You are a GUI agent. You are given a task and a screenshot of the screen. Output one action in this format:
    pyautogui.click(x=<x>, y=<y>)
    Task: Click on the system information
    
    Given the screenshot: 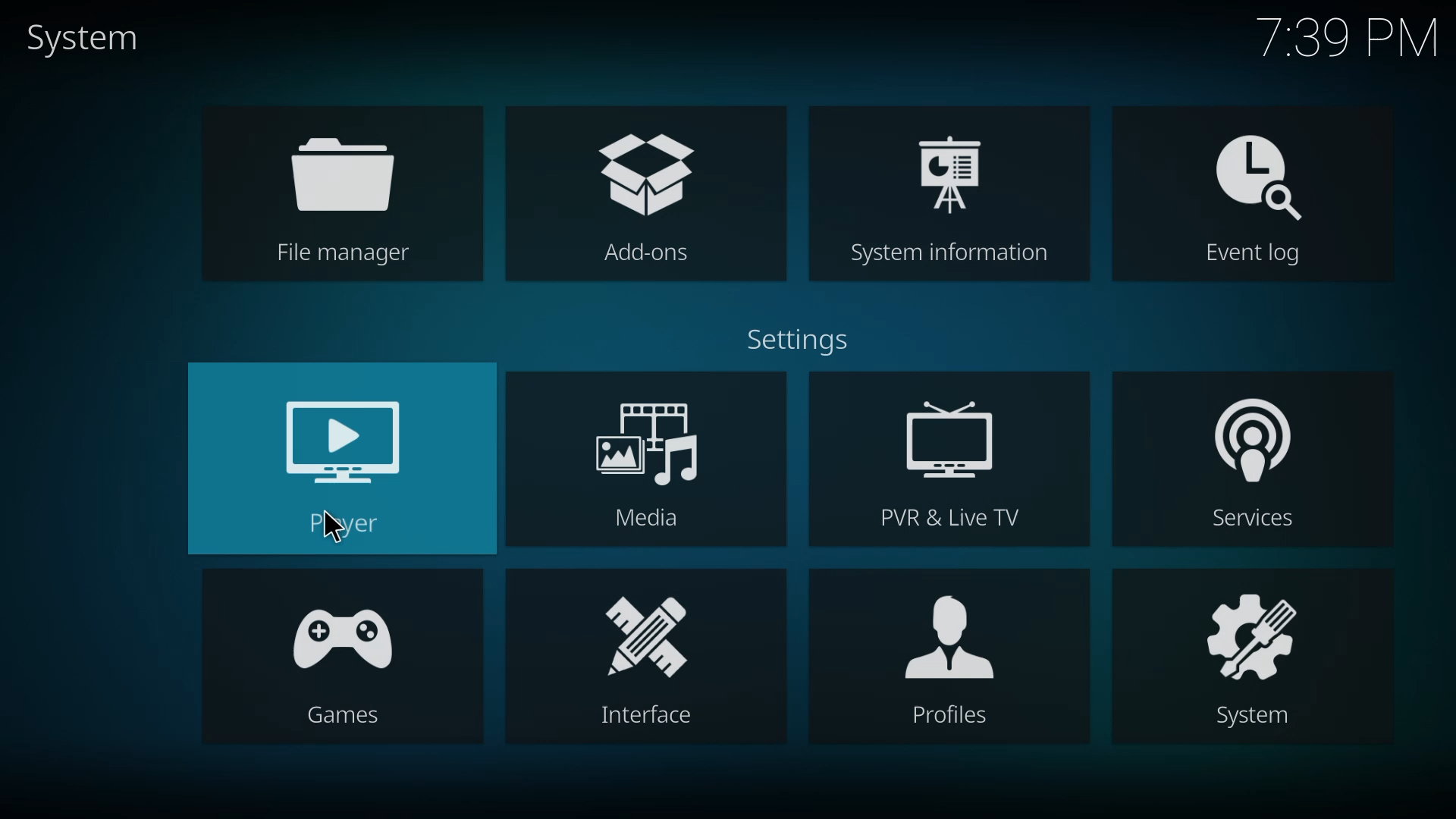 What is the action you would take?
    pyautogui.click(x=954, y=196)
    